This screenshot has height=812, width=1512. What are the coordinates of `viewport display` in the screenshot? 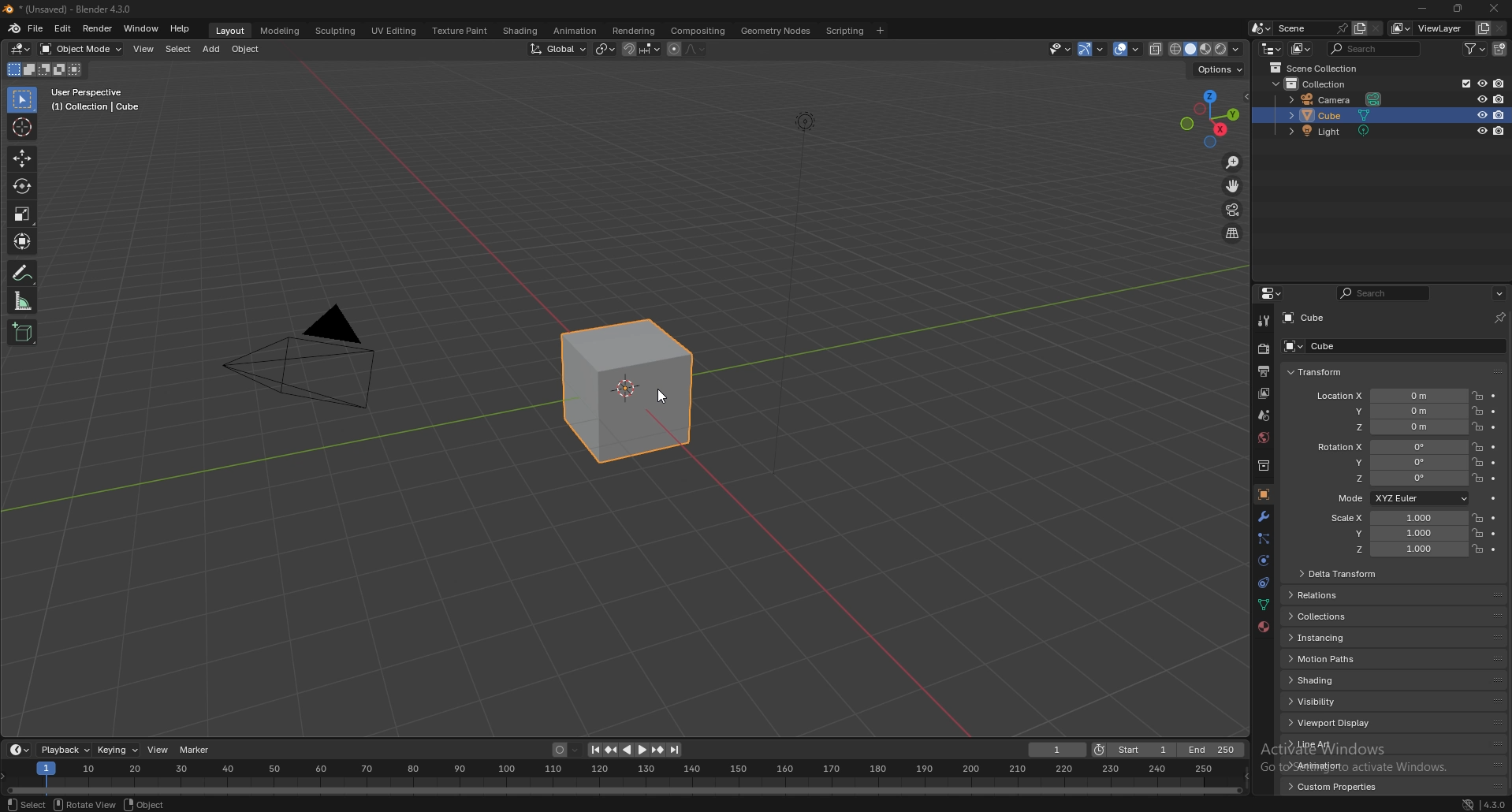 It's located at (1348, 723).